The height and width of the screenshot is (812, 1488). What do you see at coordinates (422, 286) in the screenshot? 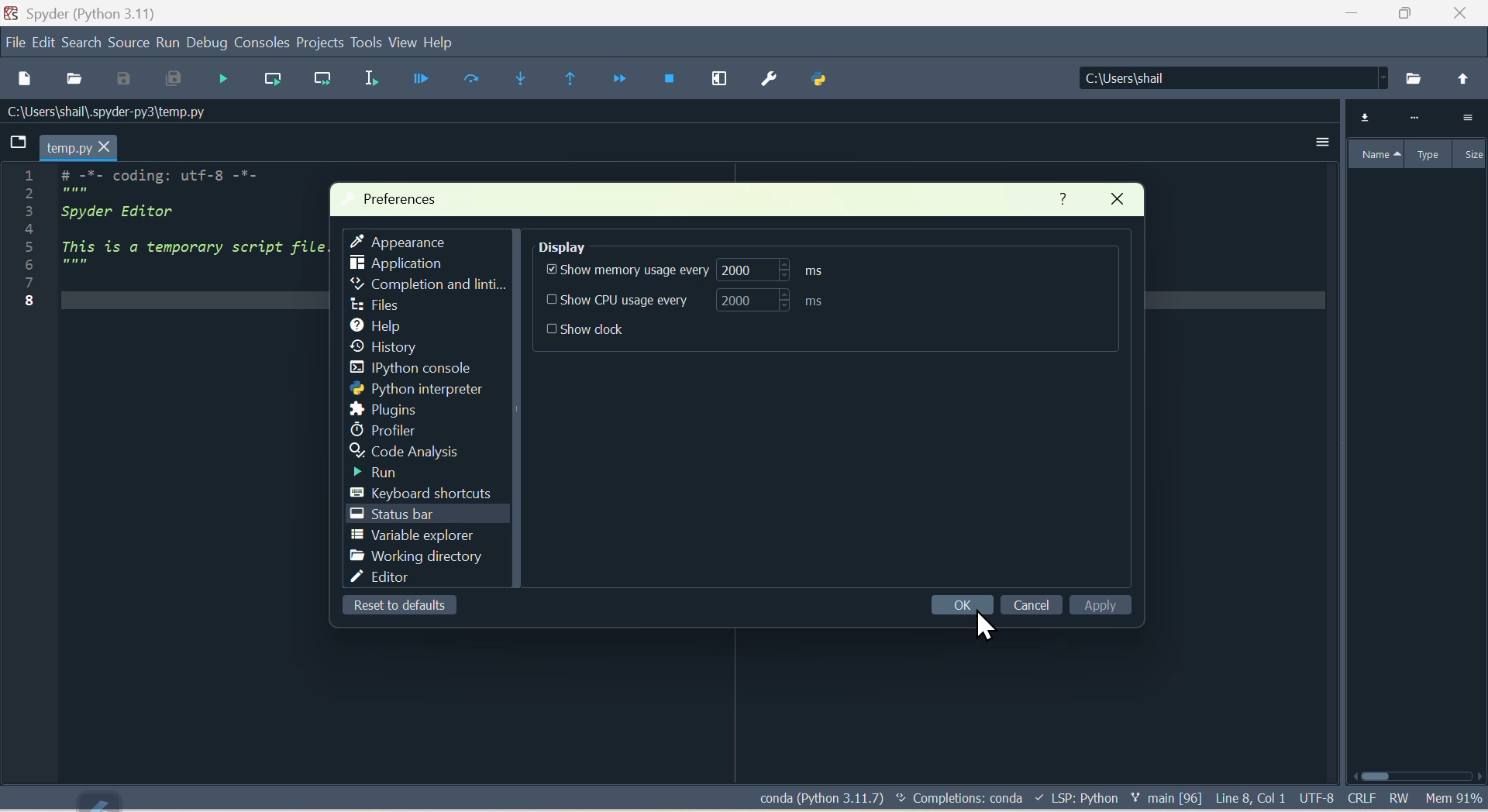
I see `Completion and` at bounding box center [422, 286].